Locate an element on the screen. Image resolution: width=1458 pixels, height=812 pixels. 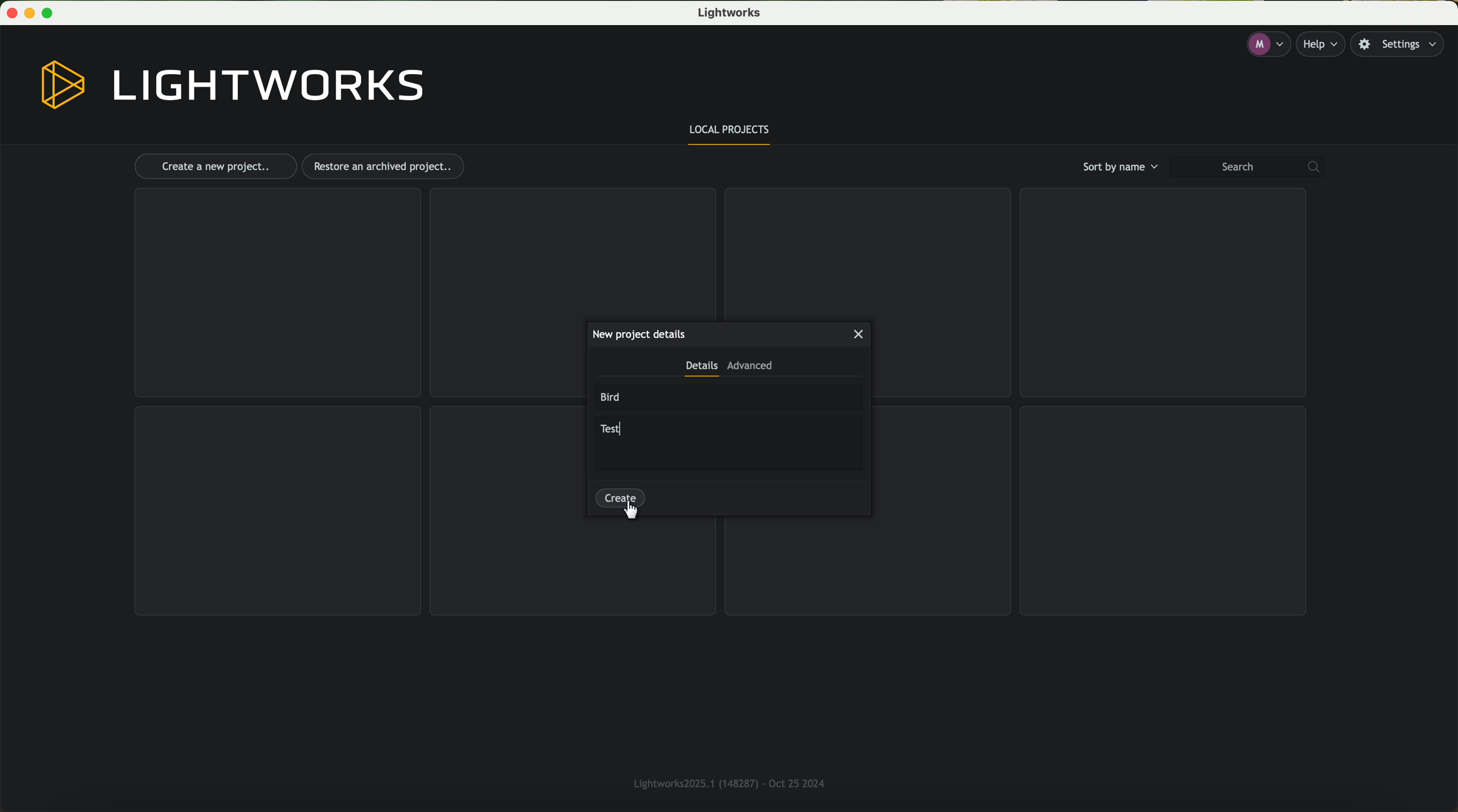
local projects is located at coordinates (731, 132).